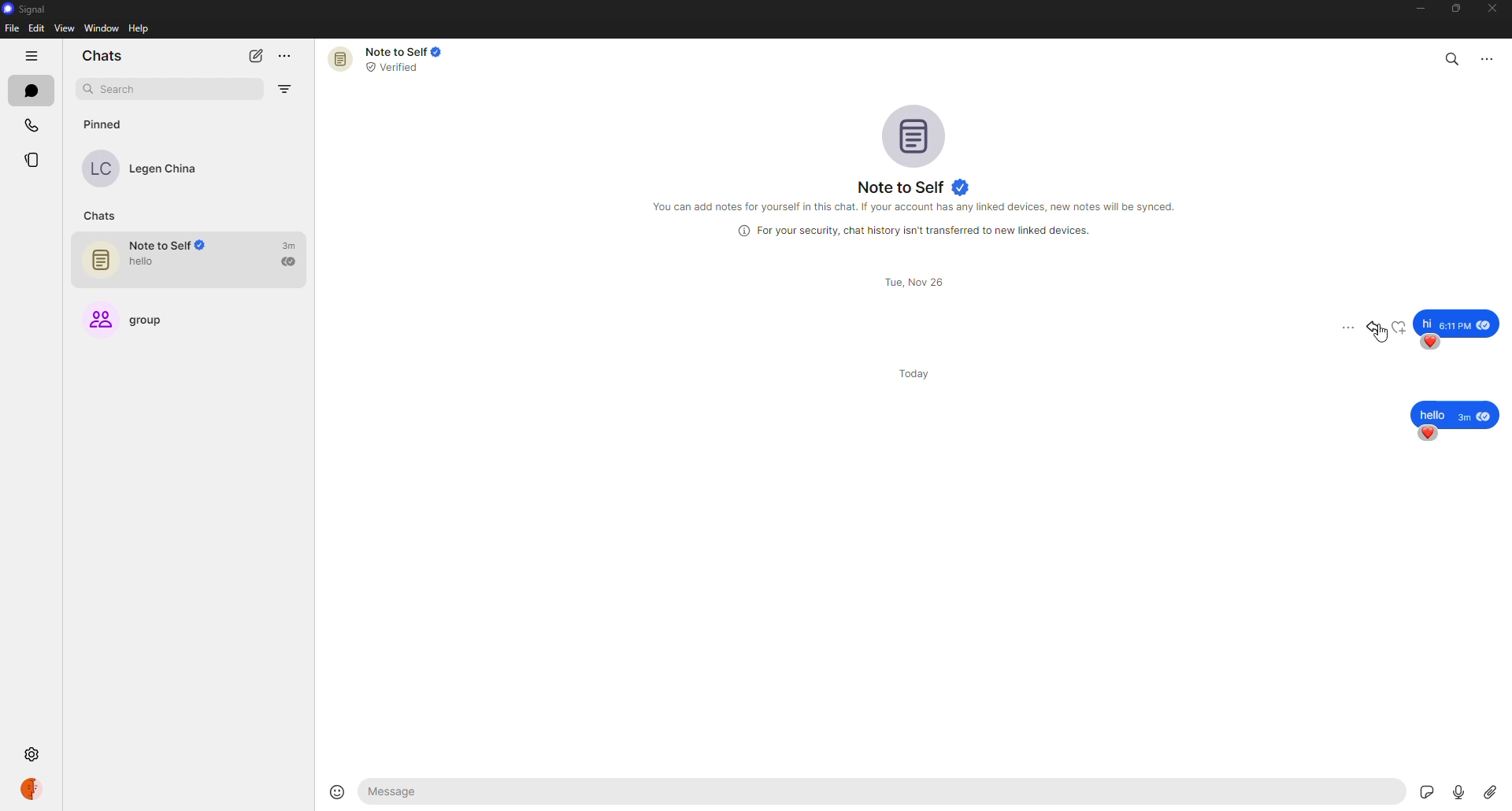  Describe the element at coordinates (914, 229) in the screenshot. I see `info` at that location.